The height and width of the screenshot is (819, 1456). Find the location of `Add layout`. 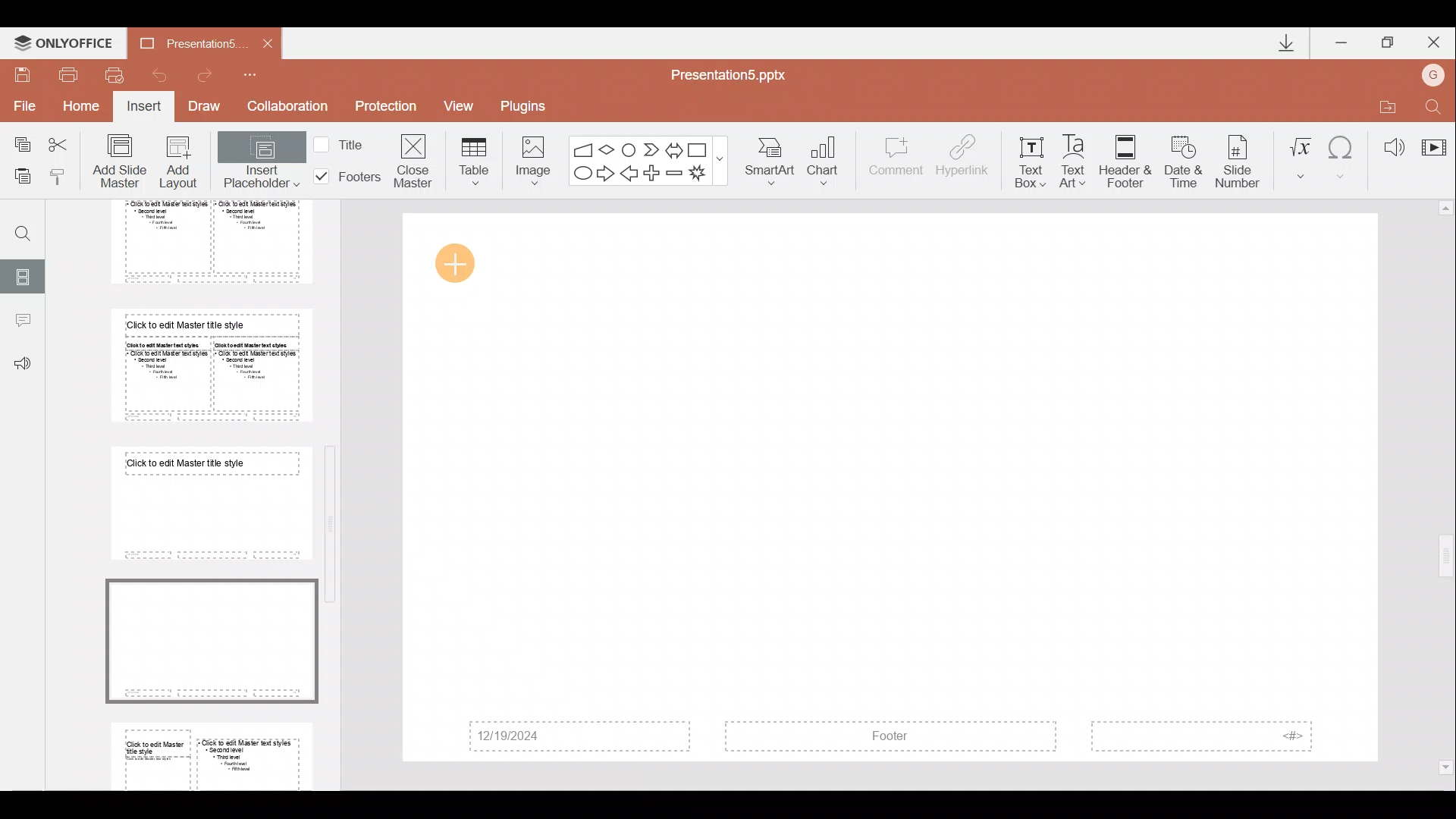

Add layout is located at coordinates (179, 165).